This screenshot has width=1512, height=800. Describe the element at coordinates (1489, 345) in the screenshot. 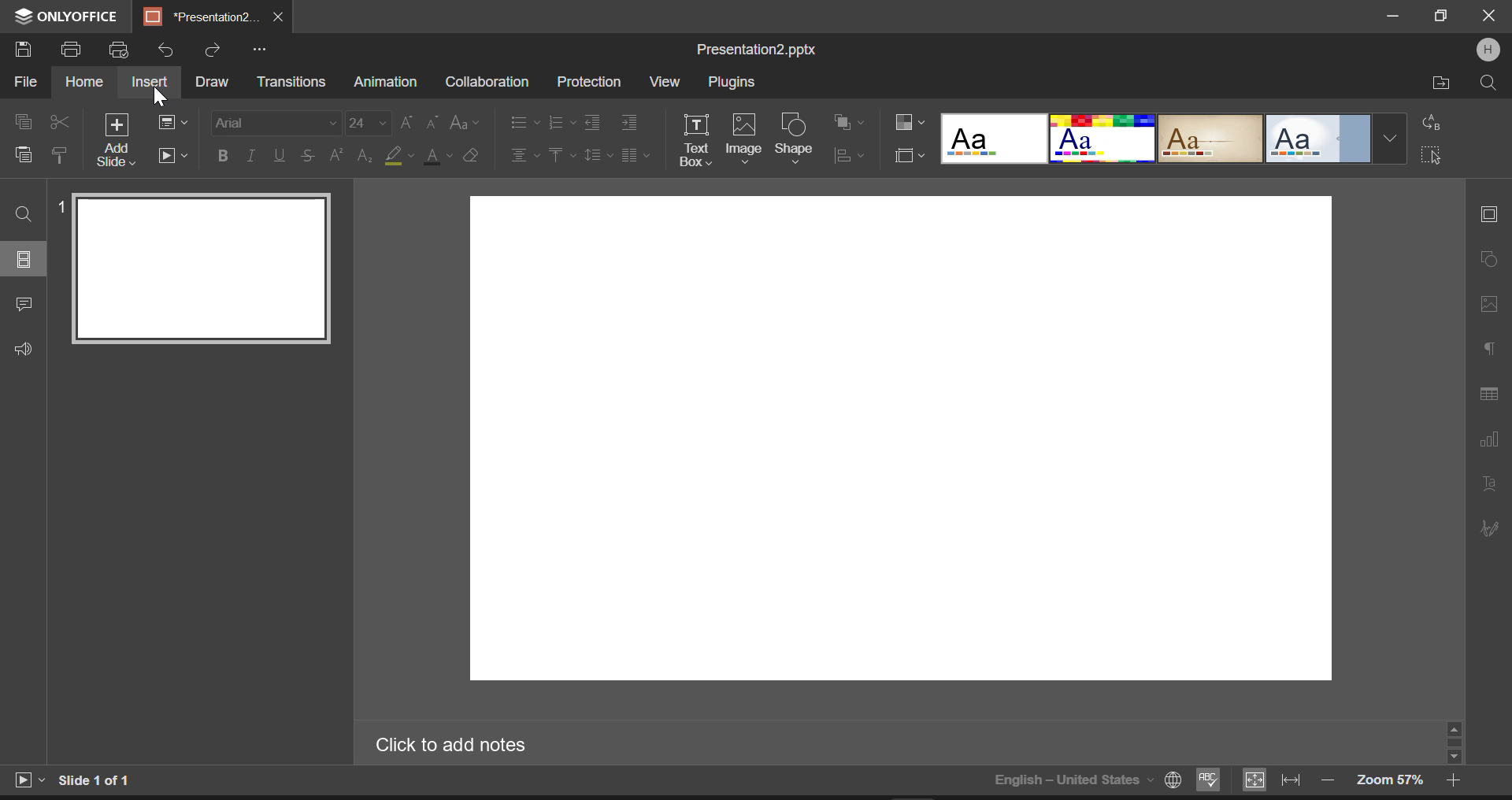

I see `Paragraph Settings` at that location.